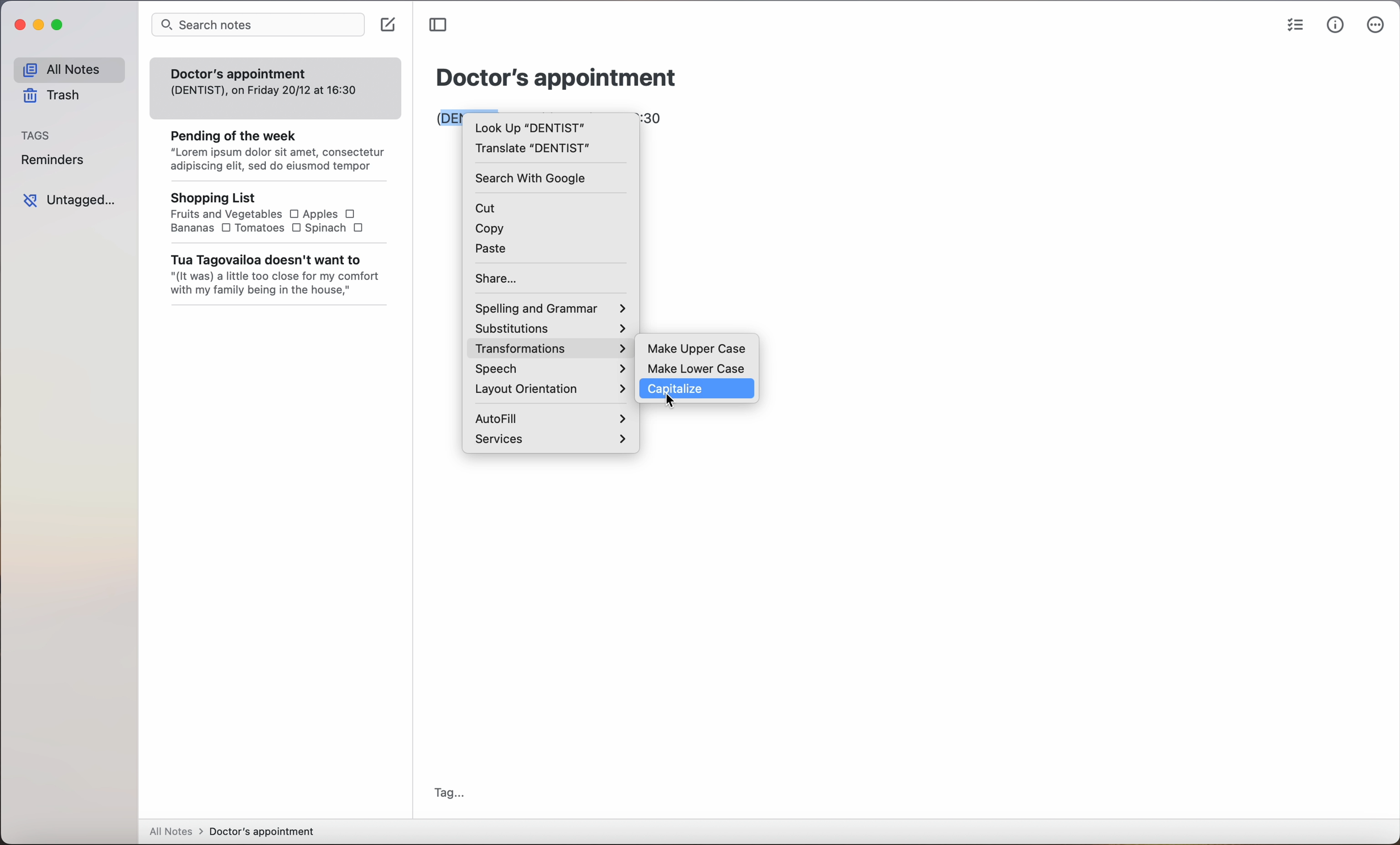  Describe the element at coordinates (273, 275) in the screenshot. I see `Tua Tagovailoa doesn't want to
"(It was) a little too close for my comfort
with my family being in the house,"` at that location.